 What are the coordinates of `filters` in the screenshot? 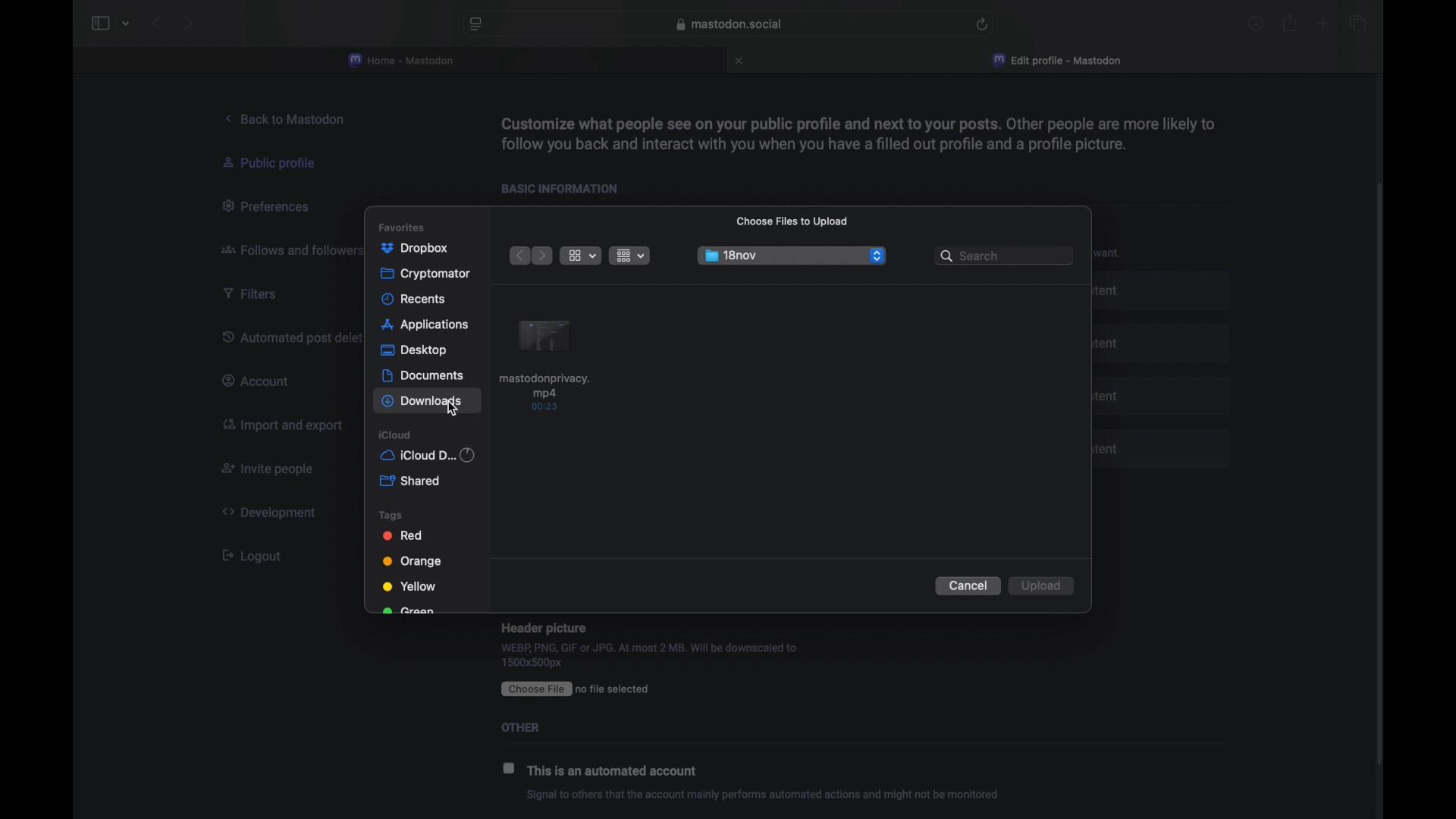 It's located at (256, 293).